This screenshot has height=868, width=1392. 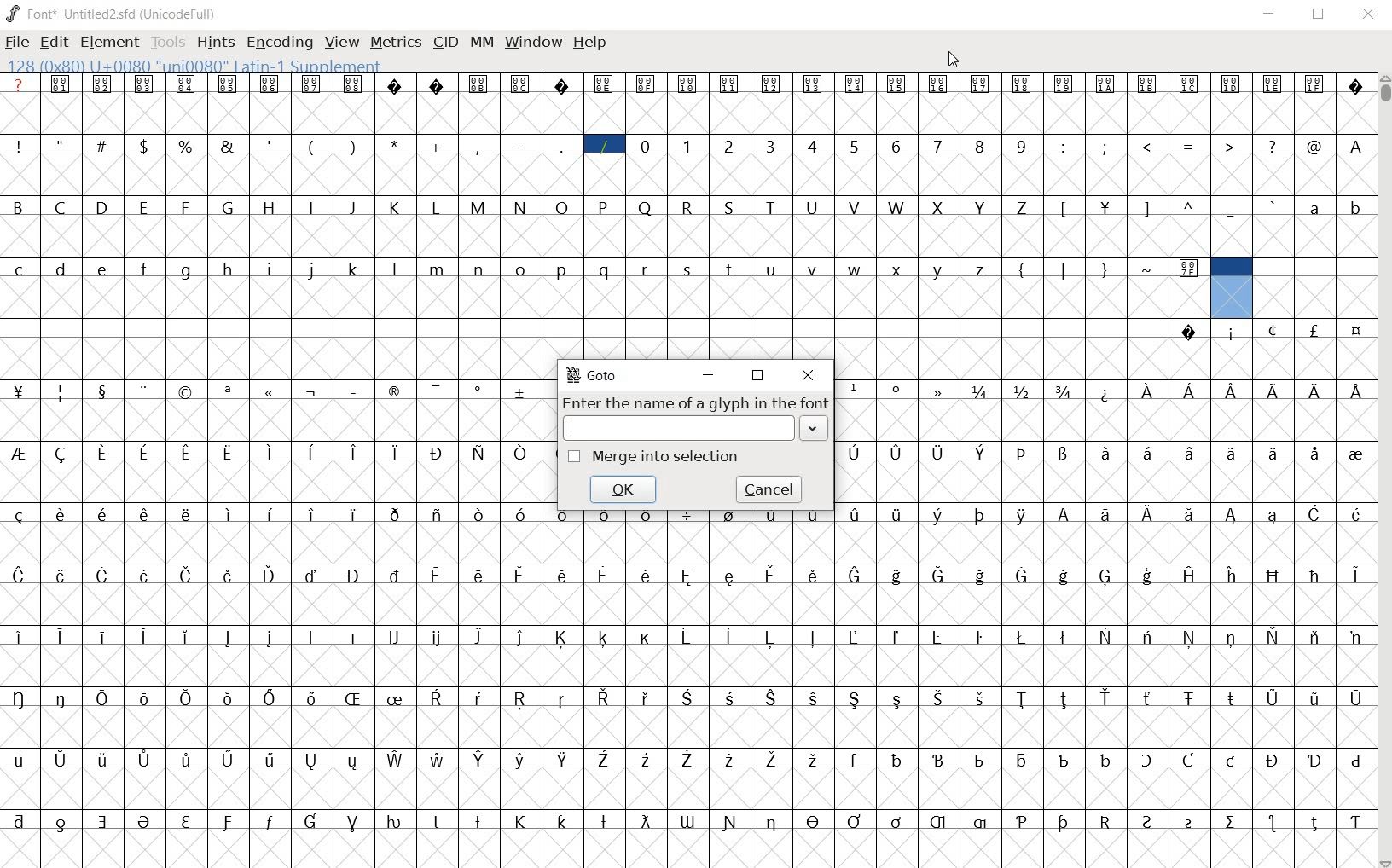 I want to click on Symbol, so click(x=397, y=575).